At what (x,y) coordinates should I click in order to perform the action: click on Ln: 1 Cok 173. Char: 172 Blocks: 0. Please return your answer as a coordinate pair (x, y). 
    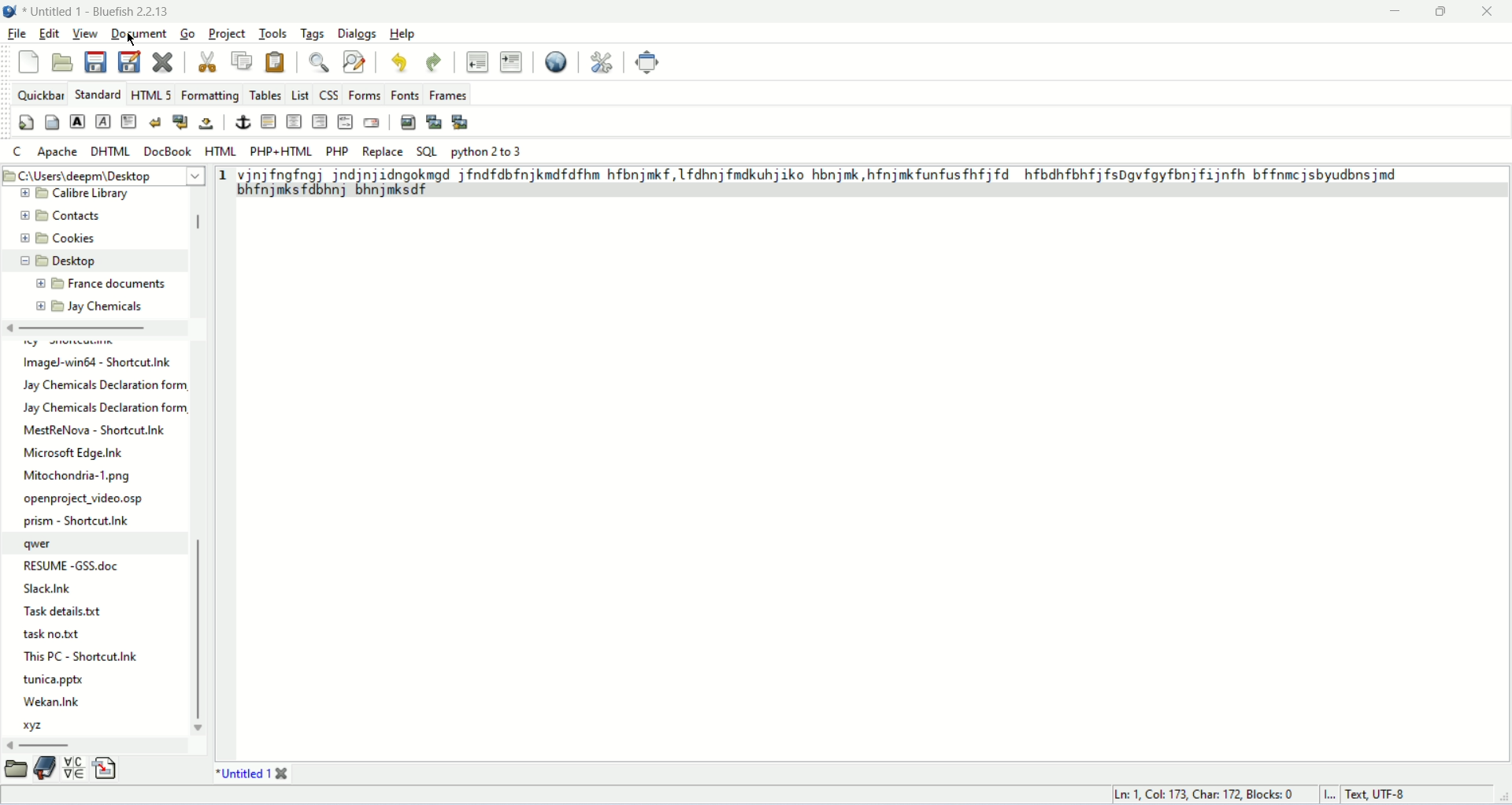
    Looking at the image, I should click on (1203, 794).